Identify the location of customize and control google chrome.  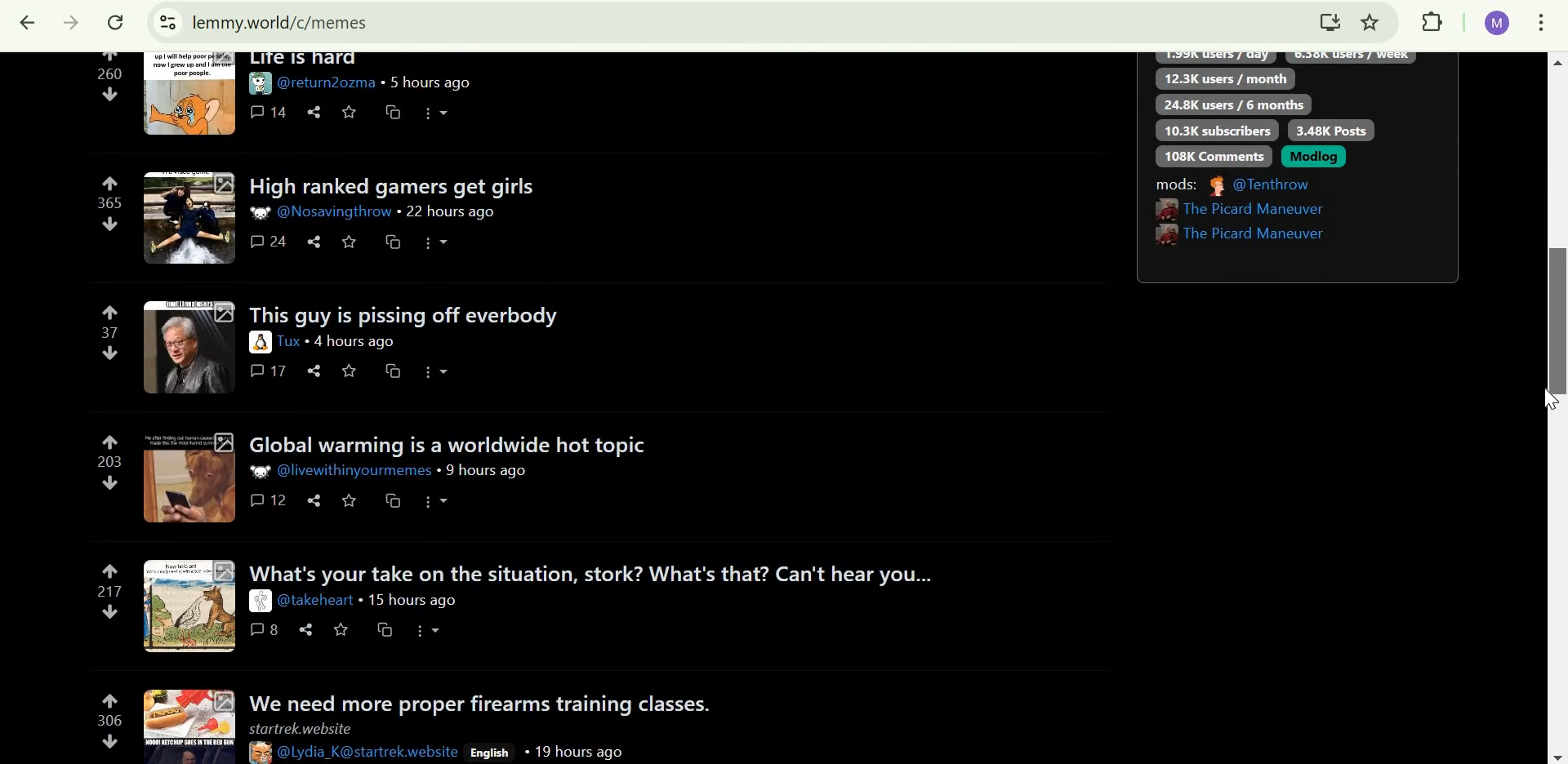
(1542, 25).